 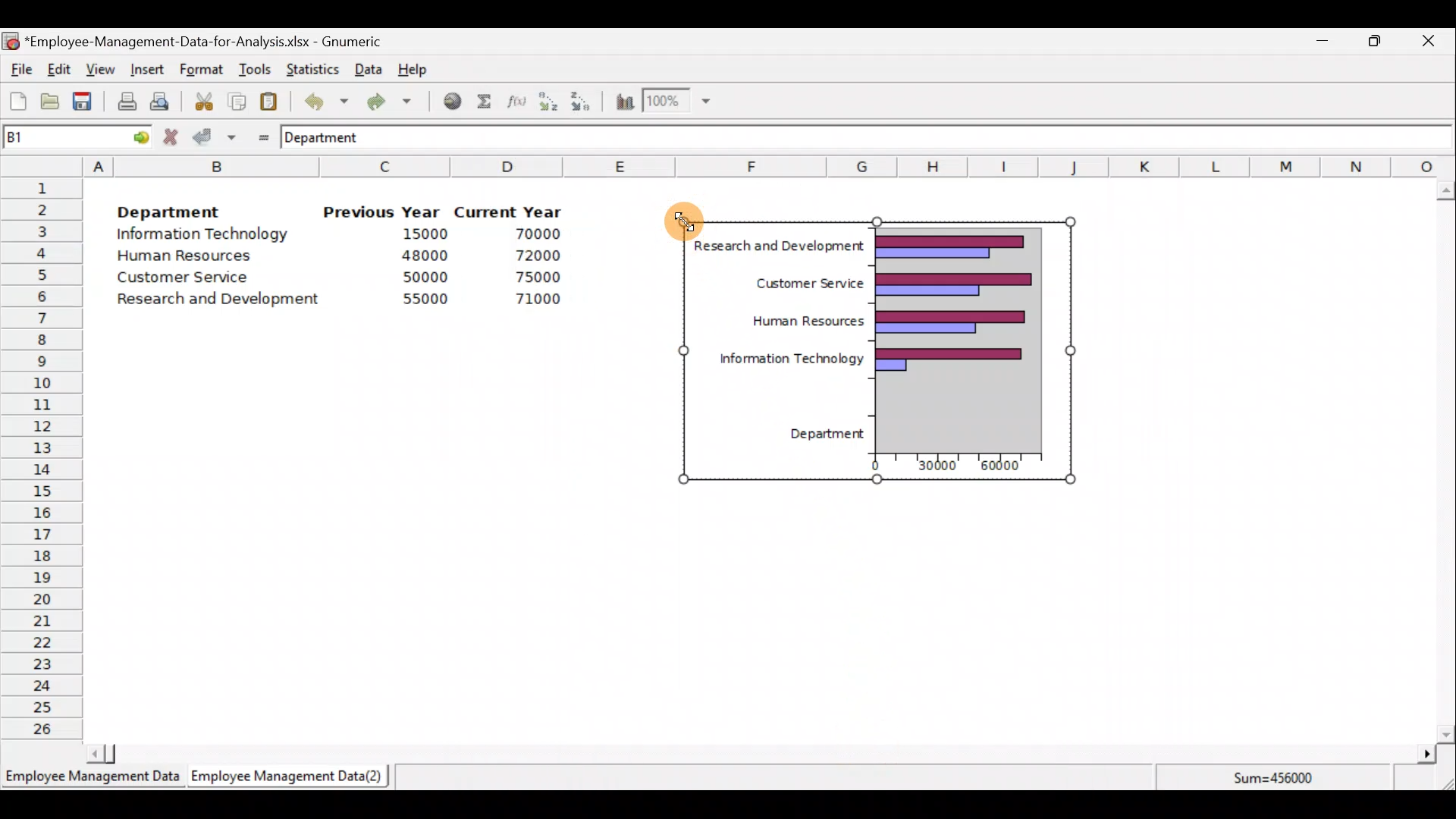 What do you see at coordinates (424, 256) in the screenshot?
I see `48000` at bounding box center [424, 256].